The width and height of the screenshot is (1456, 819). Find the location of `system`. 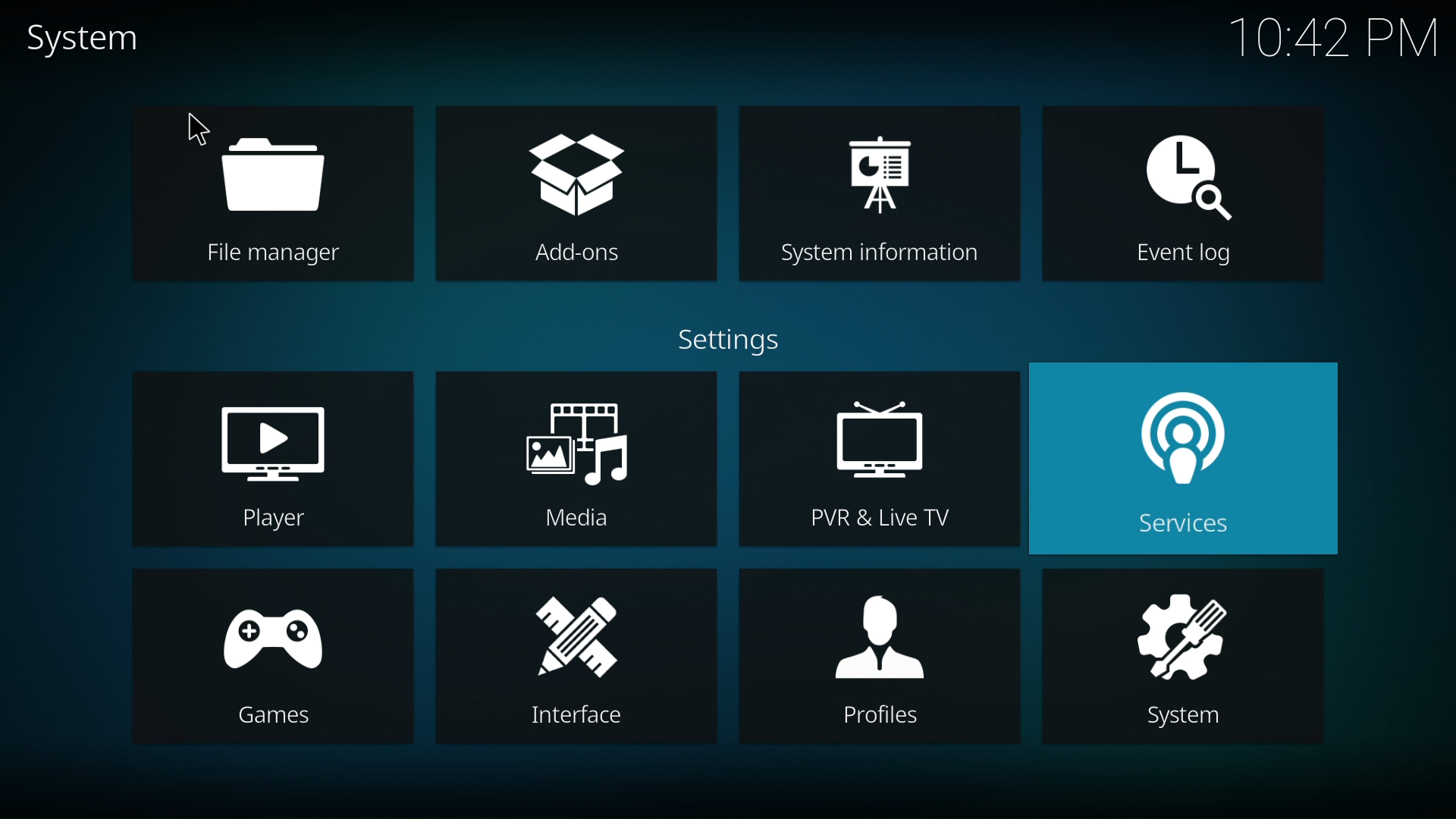

system is located at coordinates (1189, 655).